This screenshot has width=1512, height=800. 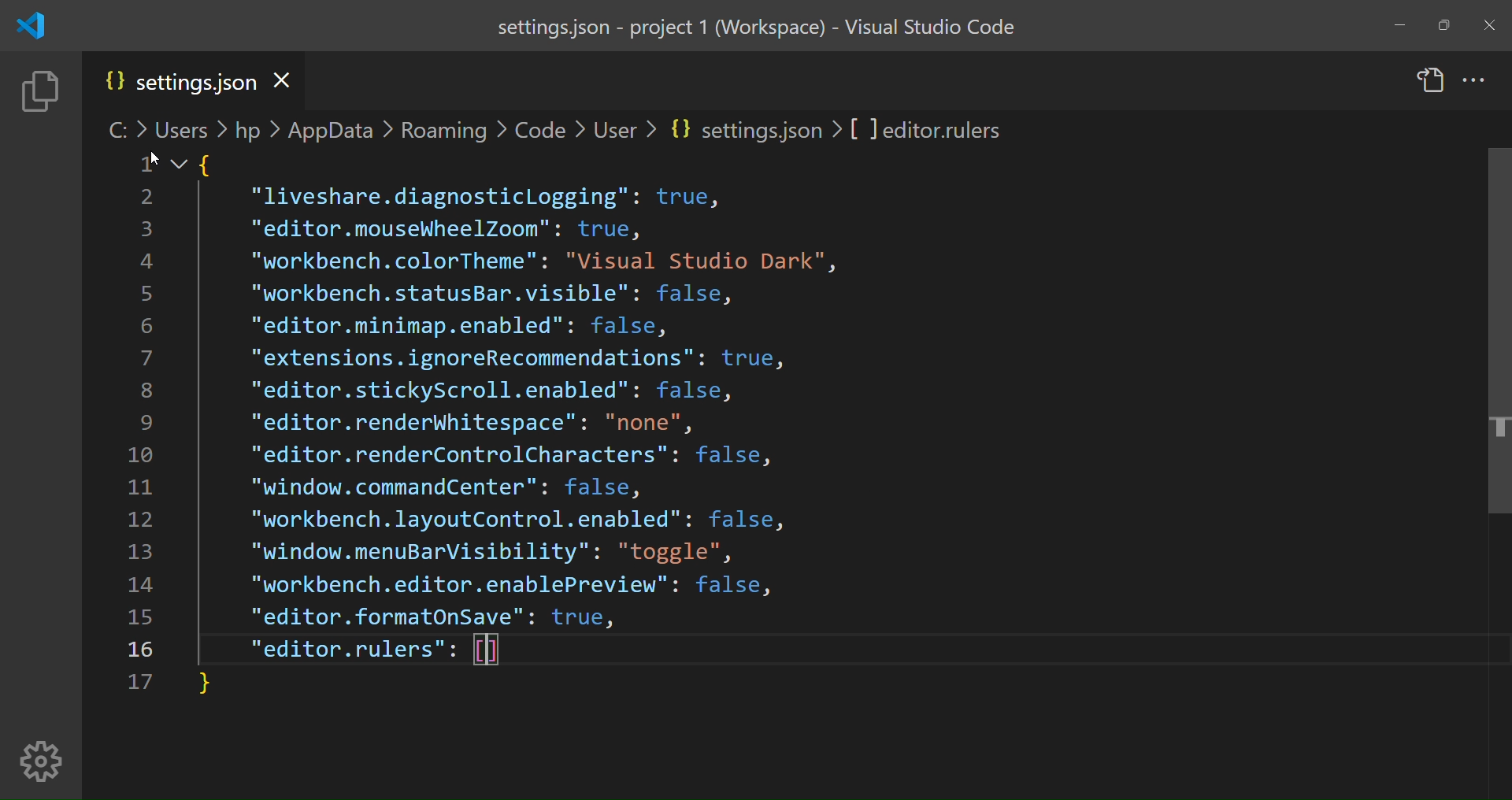 What do you see at coordinates (1488, 345) in the screenshot?
I see `scroll bar` at bounding box center [1488, 345].